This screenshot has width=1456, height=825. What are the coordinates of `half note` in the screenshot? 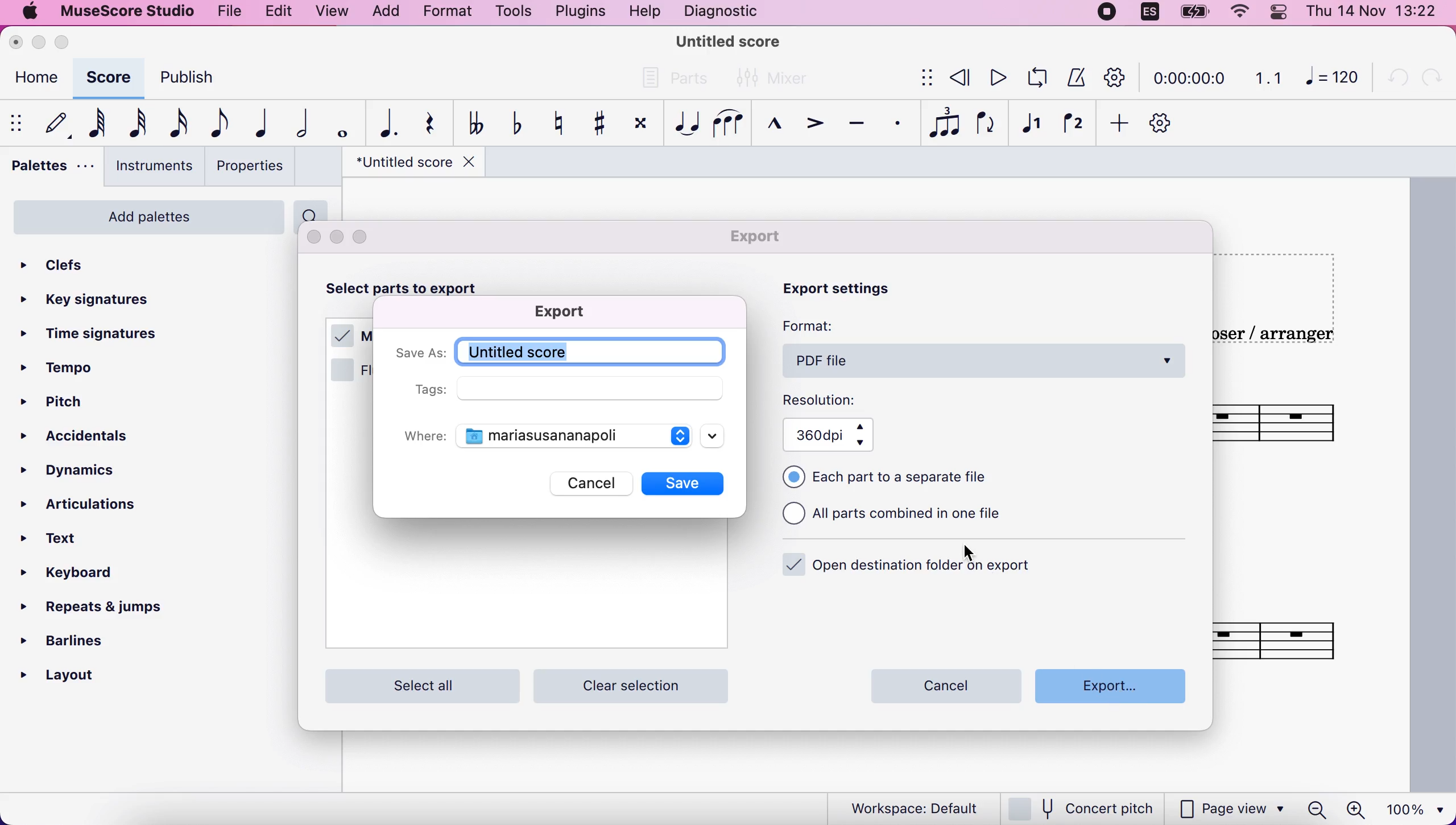 It's located at (300, 124).